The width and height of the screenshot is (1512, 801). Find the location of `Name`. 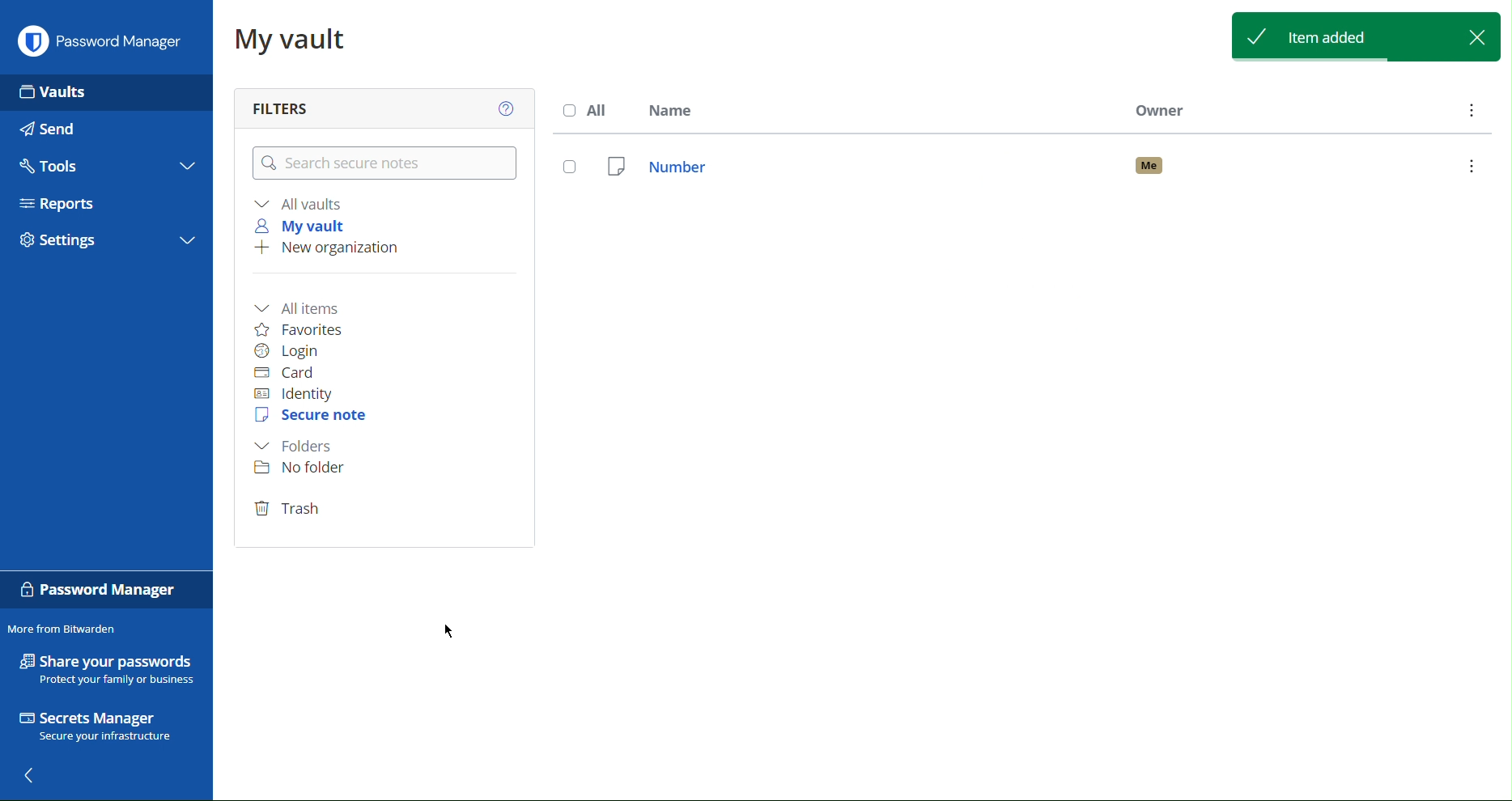

Name is located at coordinates (679, 111).